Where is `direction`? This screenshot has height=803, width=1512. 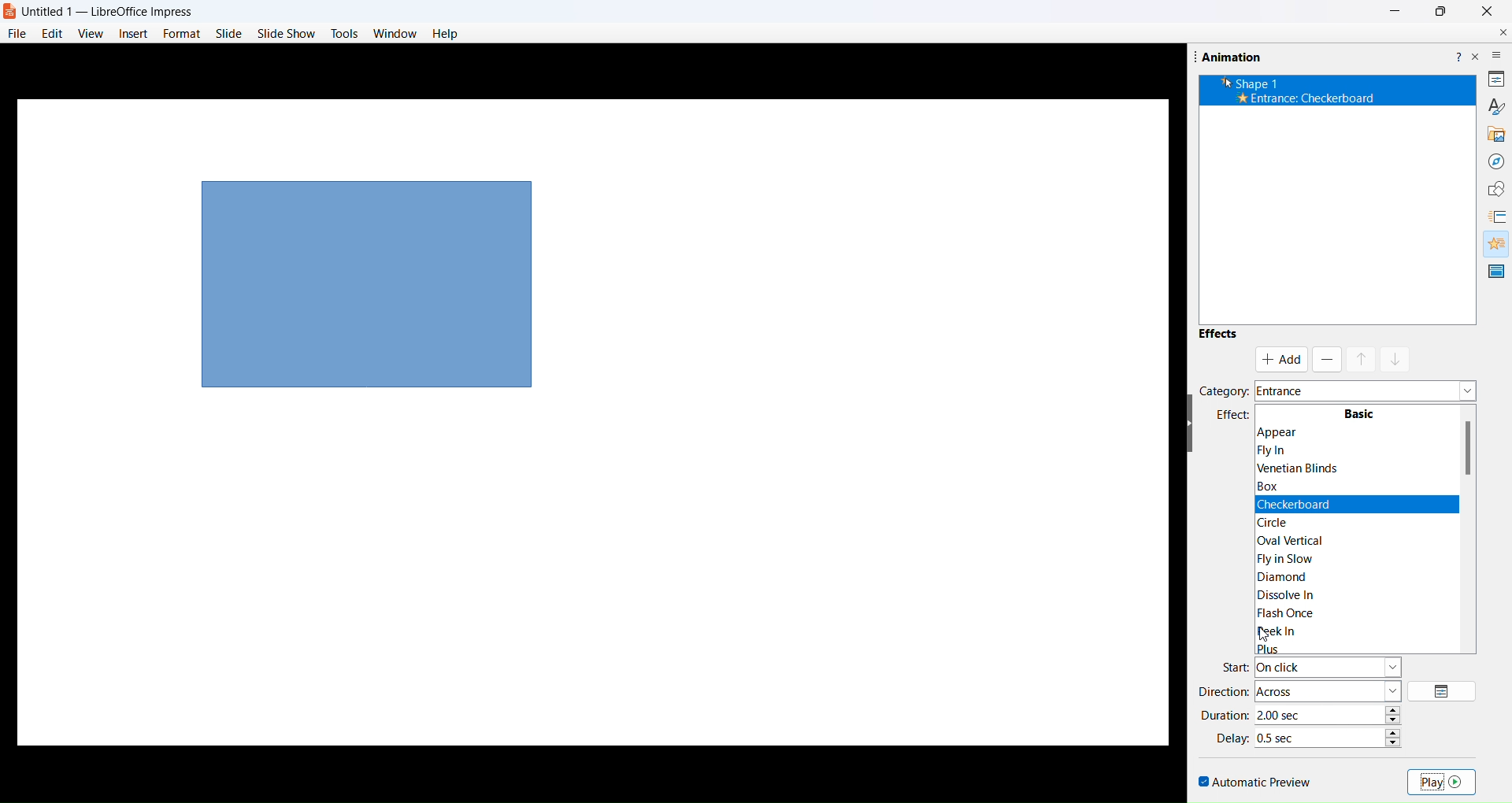
direction is located at coordinates (1221, 692).